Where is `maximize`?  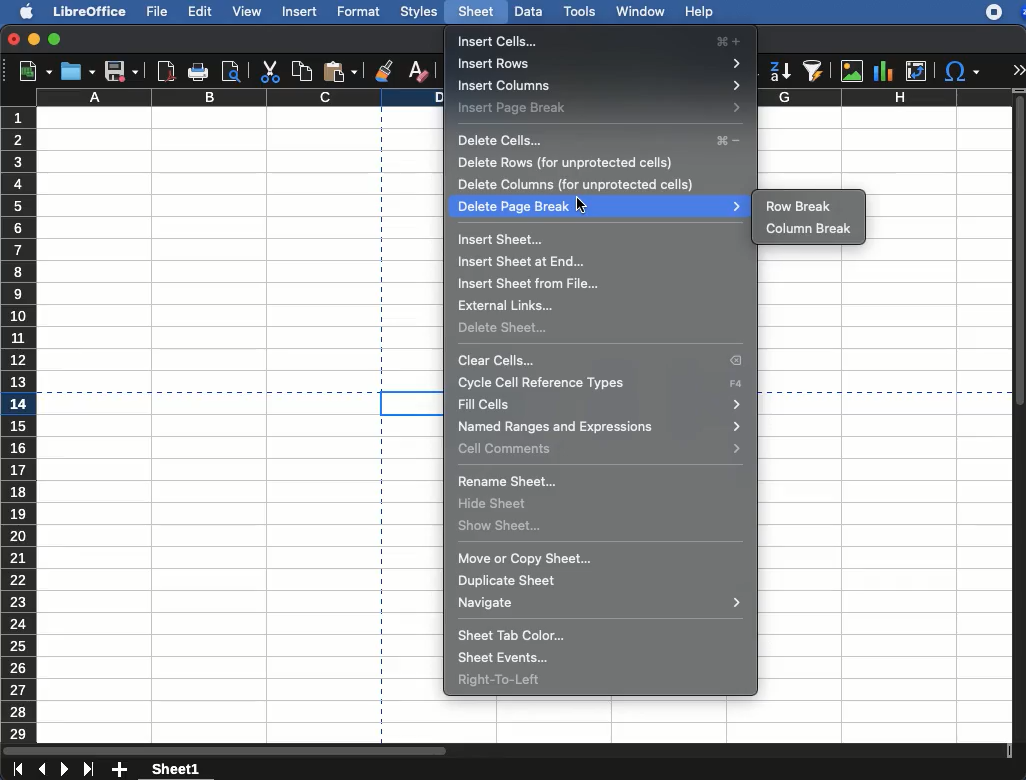
maximize is located at coordinates (54, 39).